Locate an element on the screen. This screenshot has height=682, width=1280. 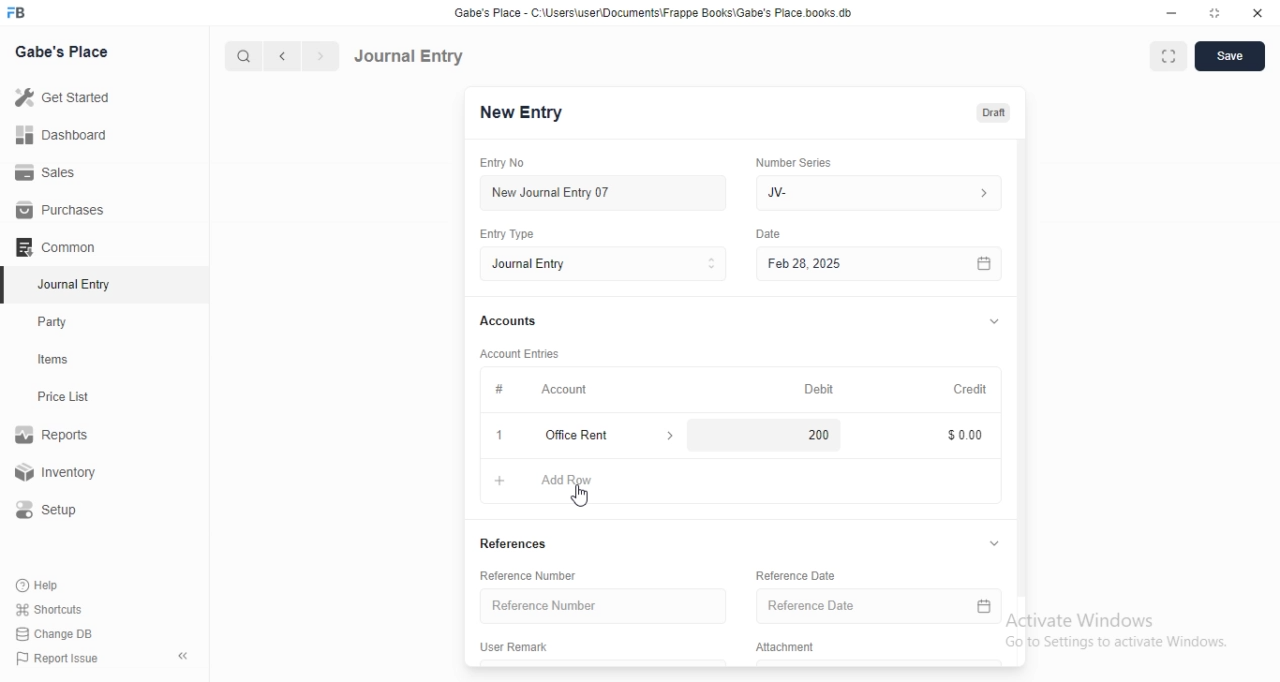
minimize is located at coordinates (1172, 13).